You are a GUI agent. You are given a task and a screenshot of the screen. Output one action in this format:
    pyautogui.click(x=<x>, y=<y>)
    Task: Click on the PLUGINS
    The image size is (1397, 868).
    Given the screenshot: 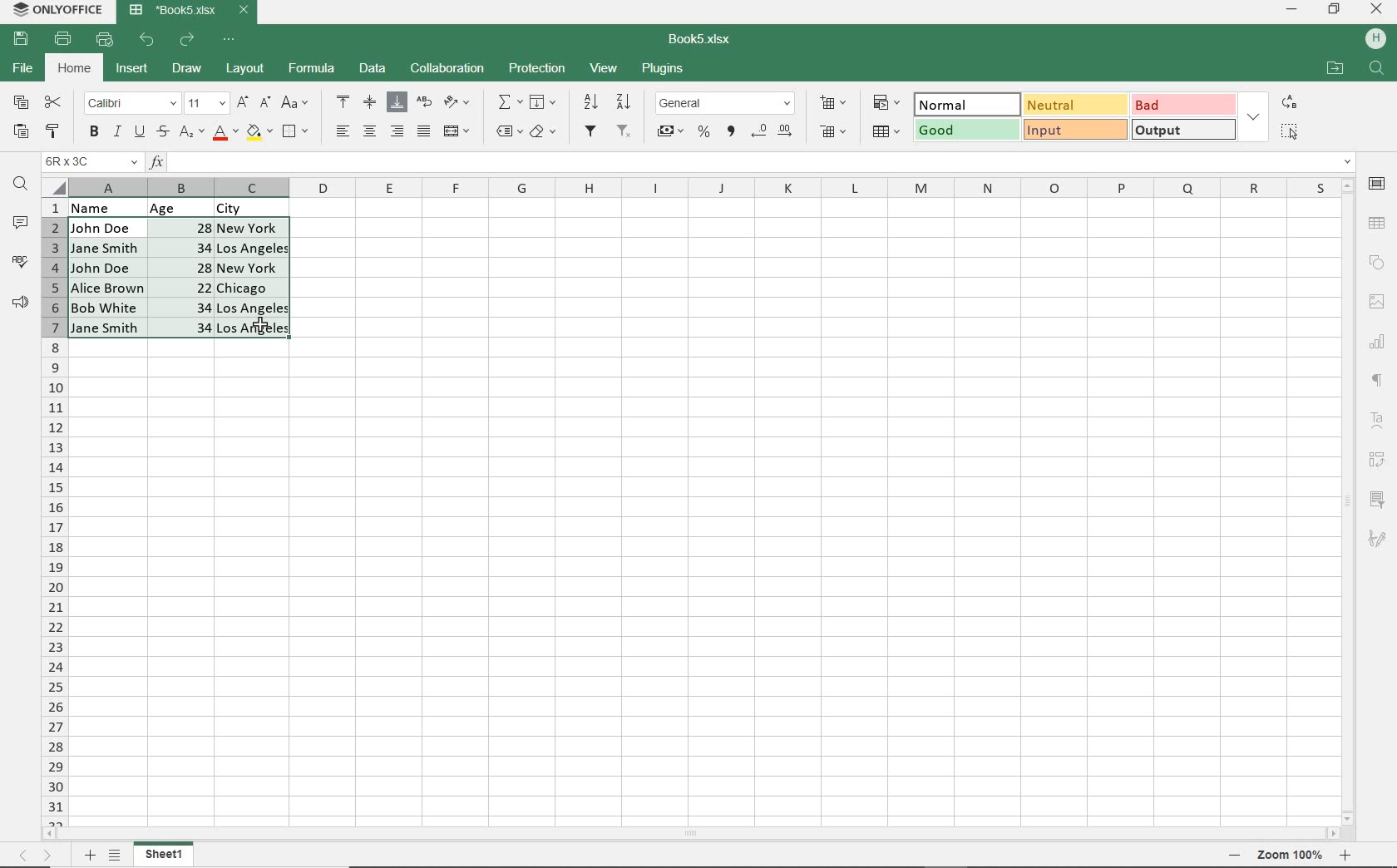 What is the action you would take?
    pyautogui.click(x=664, y=70)
    